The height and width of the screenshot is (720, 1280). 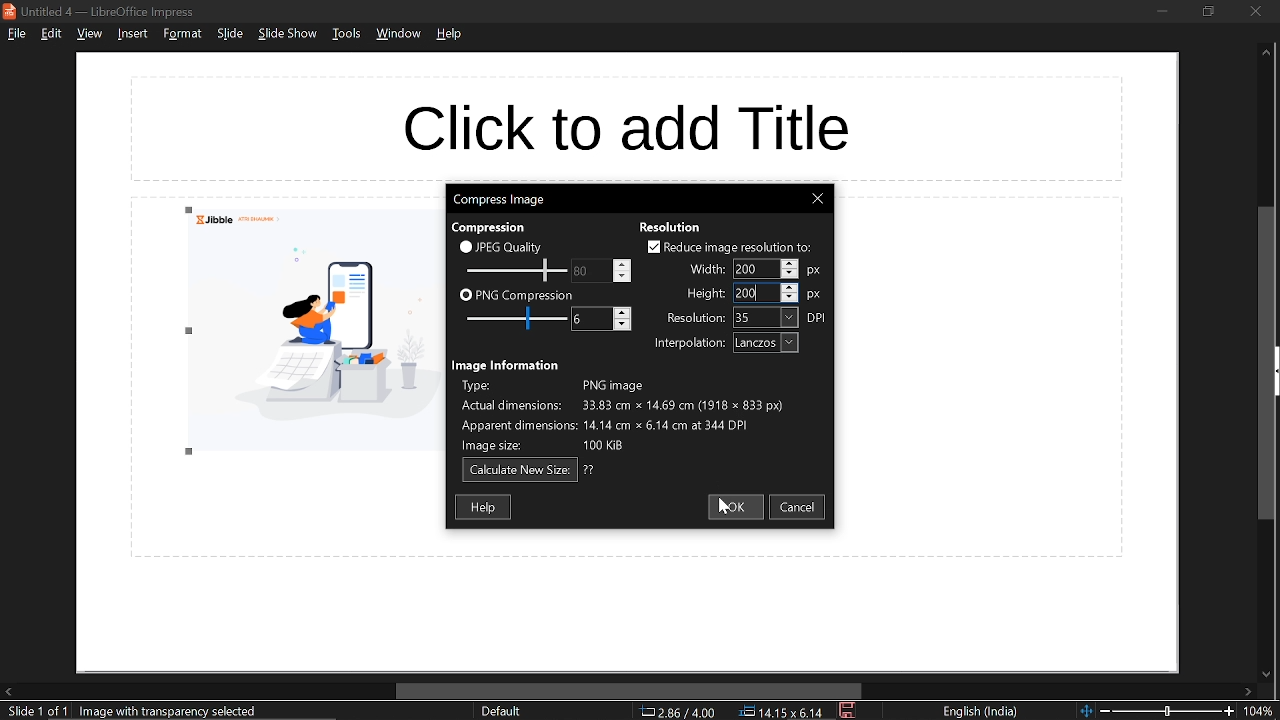 I want to click on decrease png compression, so click(x=622, y=326).